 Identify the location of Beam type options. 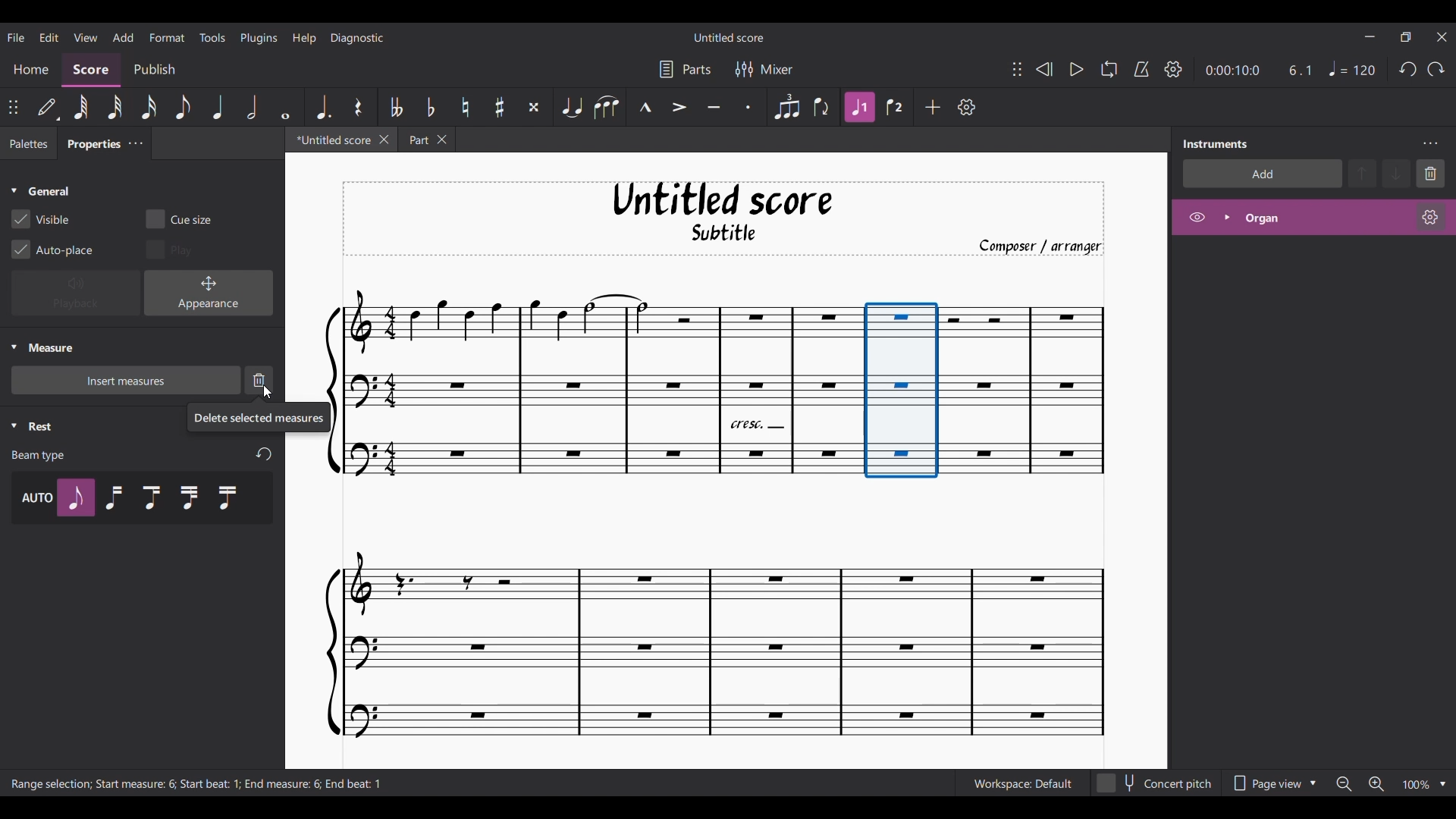
(143, 498).